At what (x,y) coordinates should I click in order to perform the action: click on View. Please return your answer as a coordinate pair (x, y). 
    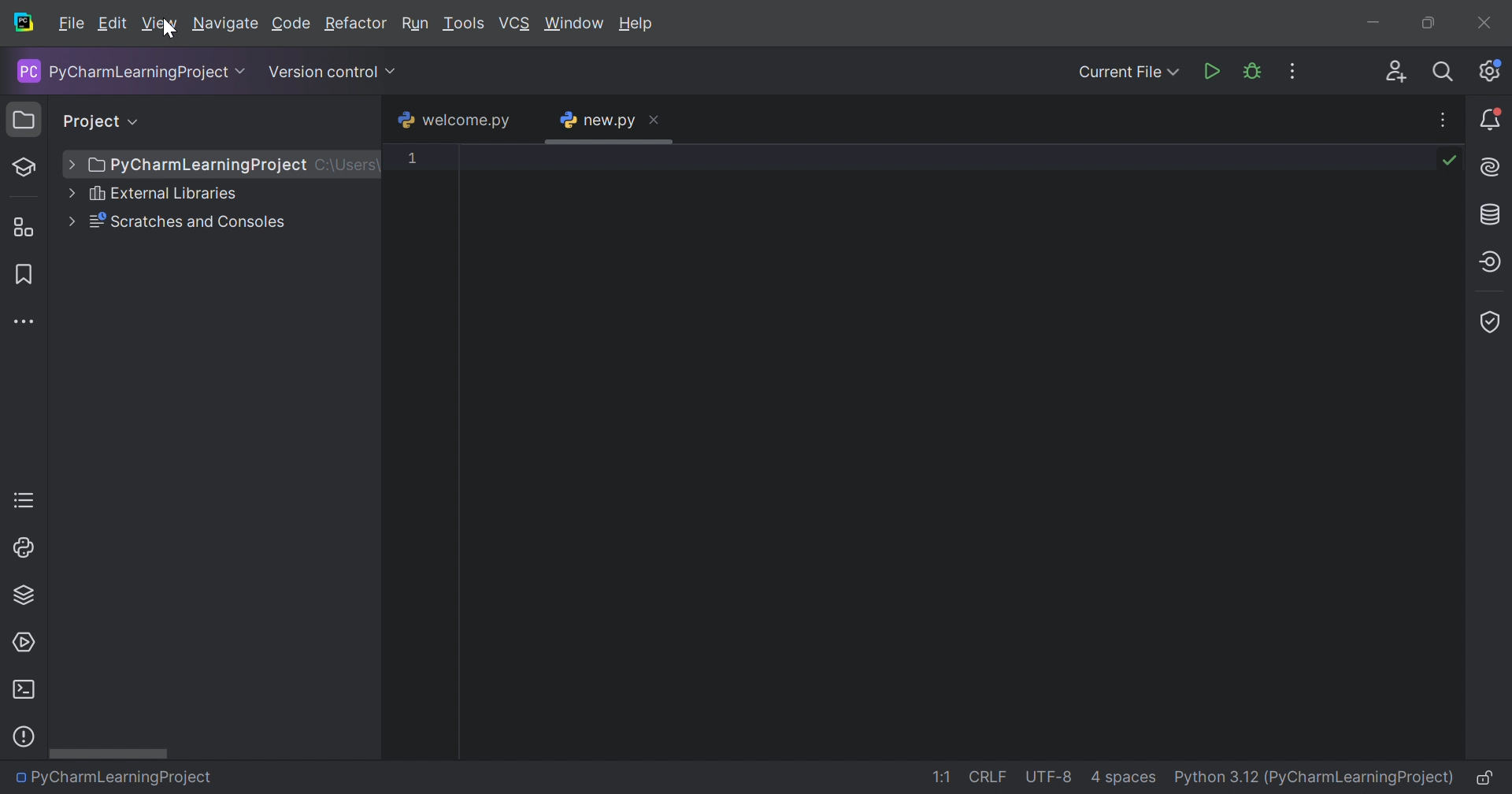
    Looking at the image, I should click on (159, 26).